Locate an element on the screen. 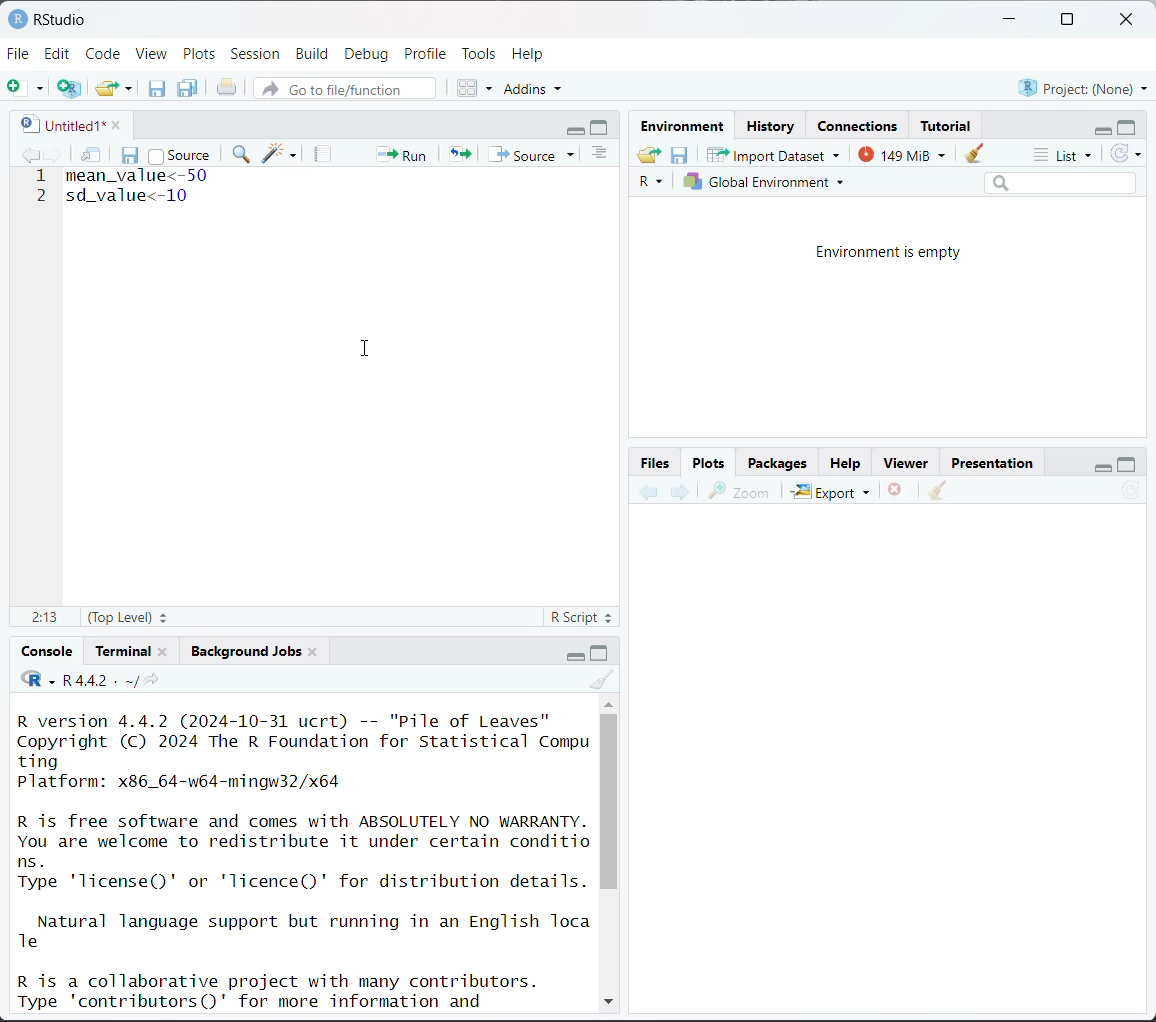  Tools is located at coordinates (479, 52).